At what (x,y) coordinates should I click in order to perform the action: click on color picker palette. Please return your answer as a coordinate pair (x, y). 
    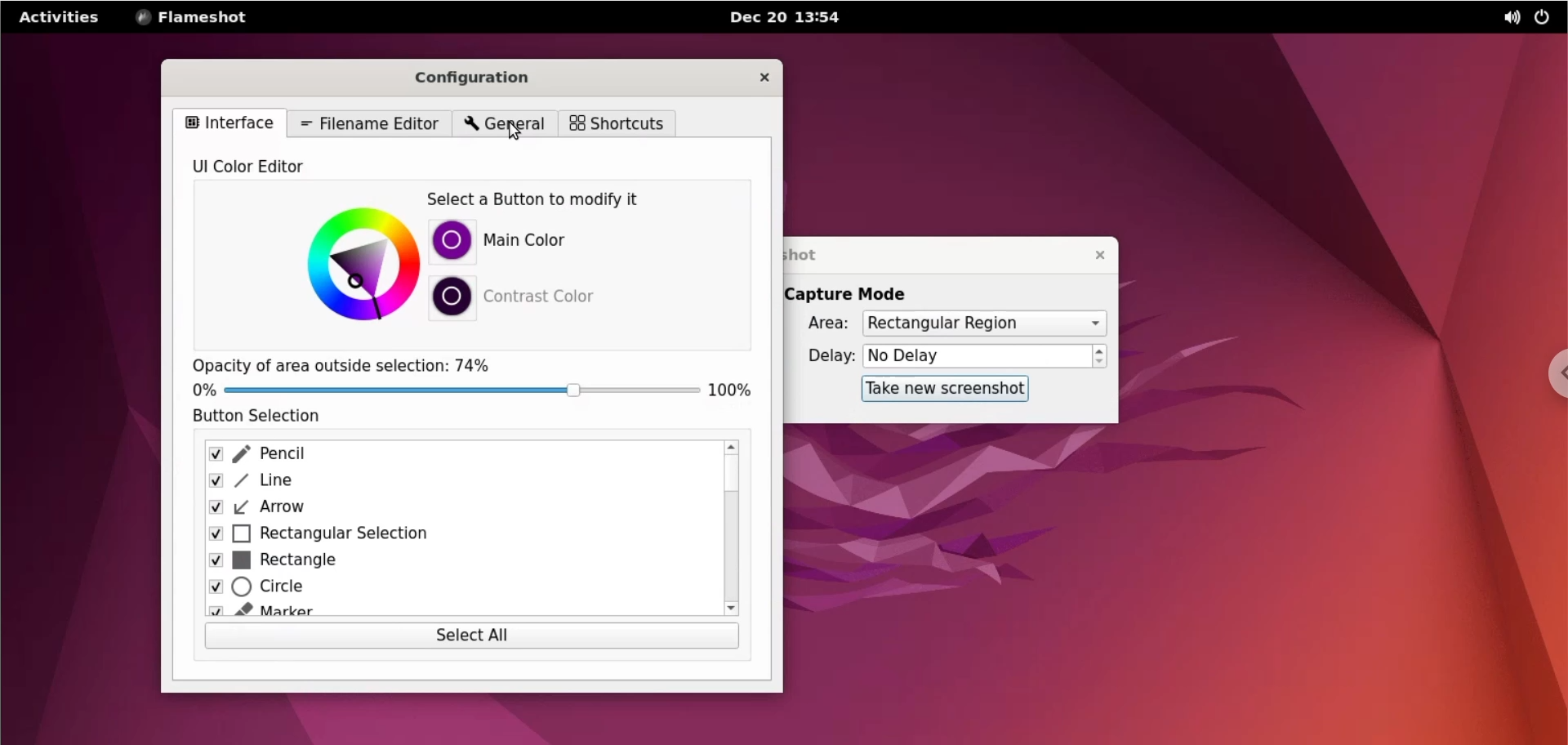
    Looking at the image, I should click on (346, 264).